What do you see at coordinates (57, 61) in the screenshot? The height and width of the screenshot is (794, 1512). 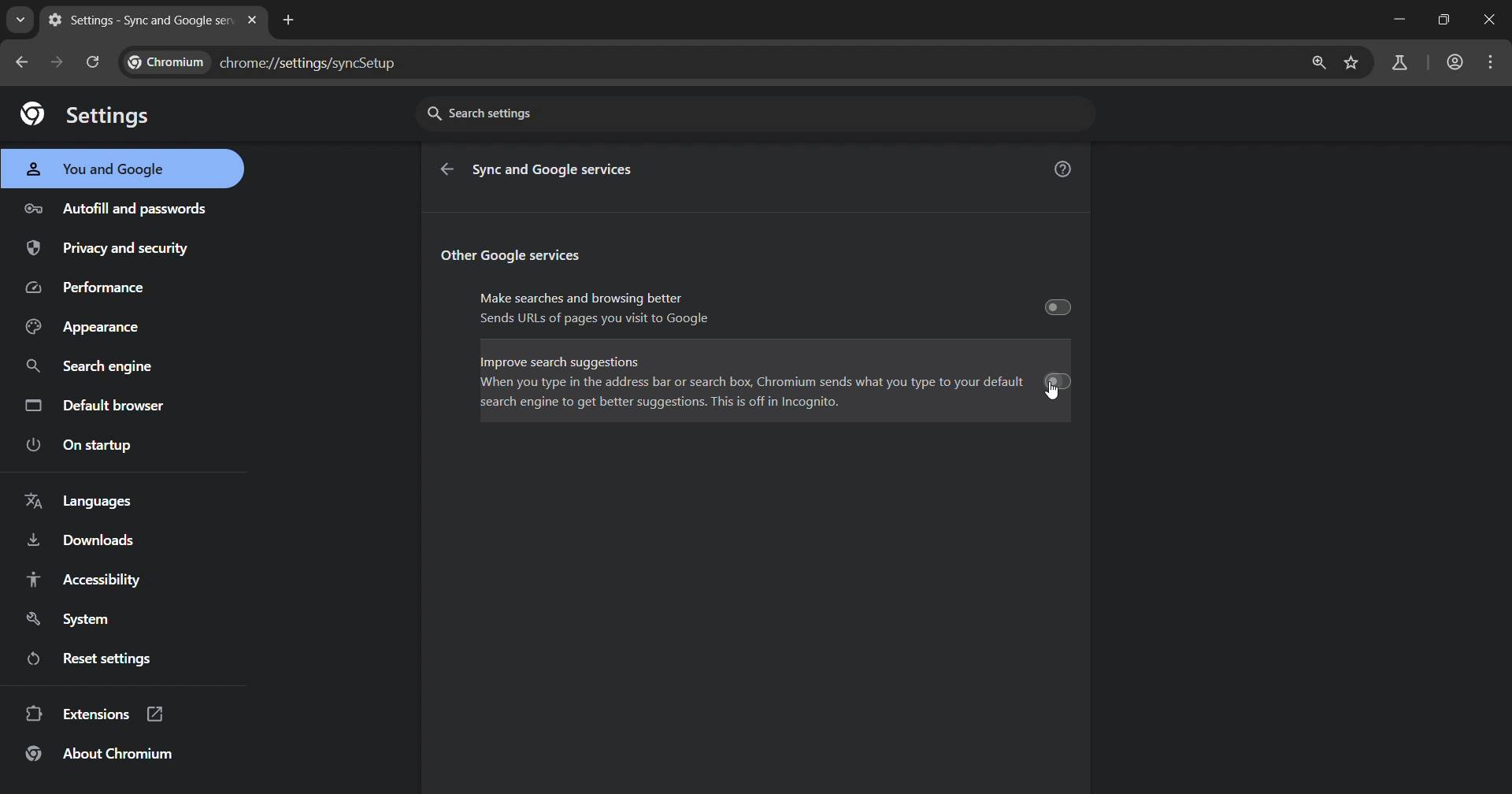 I see `go forward page` at bounding box center [57, 61].